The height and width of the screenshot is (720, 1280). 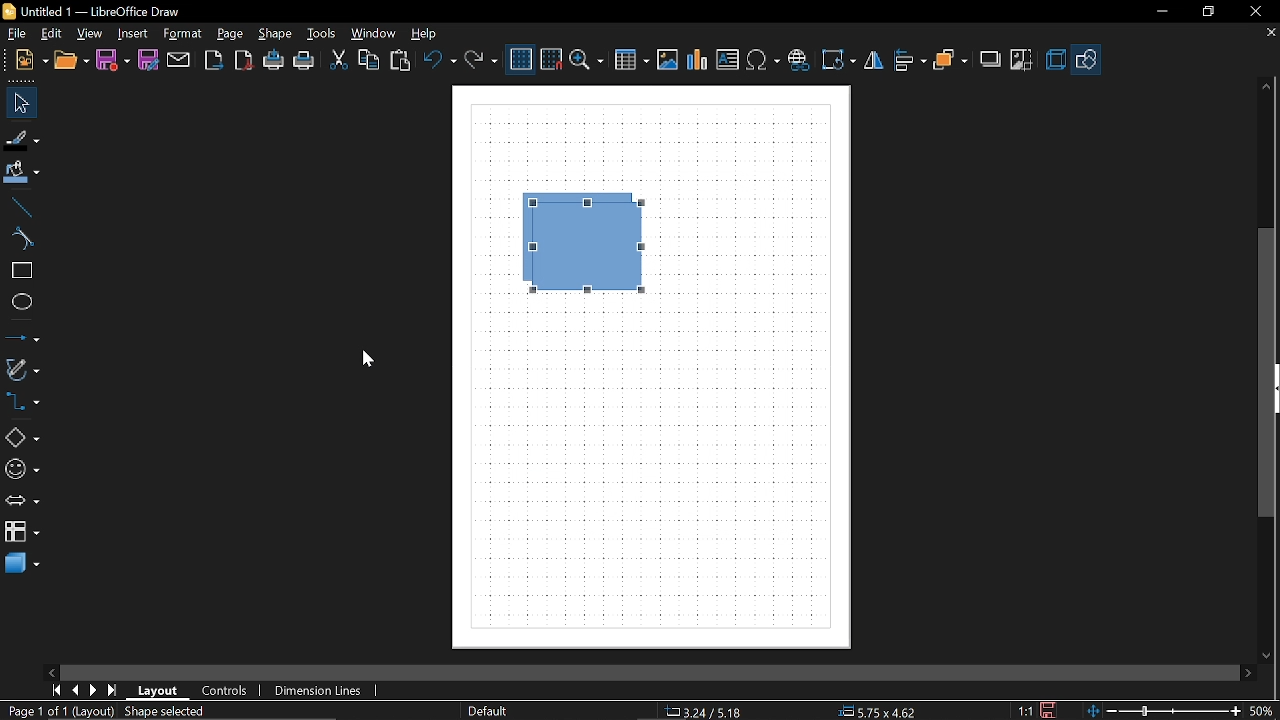 I want to click on next page, so click(x=94, y=691).